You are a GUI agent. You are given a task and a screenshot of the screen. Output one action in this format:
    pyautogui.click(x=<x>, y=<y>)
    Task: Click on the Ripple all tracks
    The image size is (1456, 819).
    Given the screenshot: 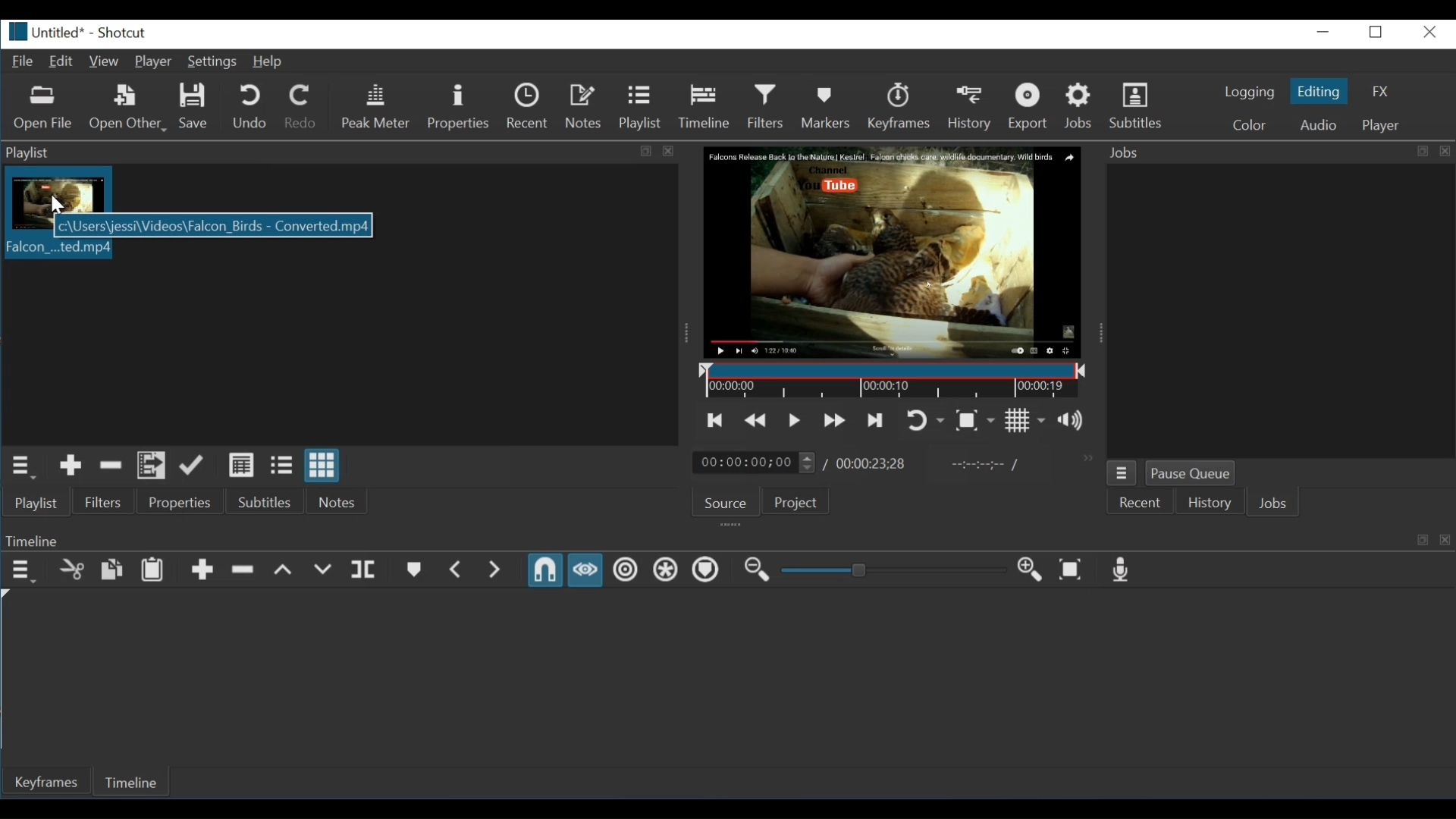 What is the action you would take?
    pyautogui.click(x=663, y=569)
    